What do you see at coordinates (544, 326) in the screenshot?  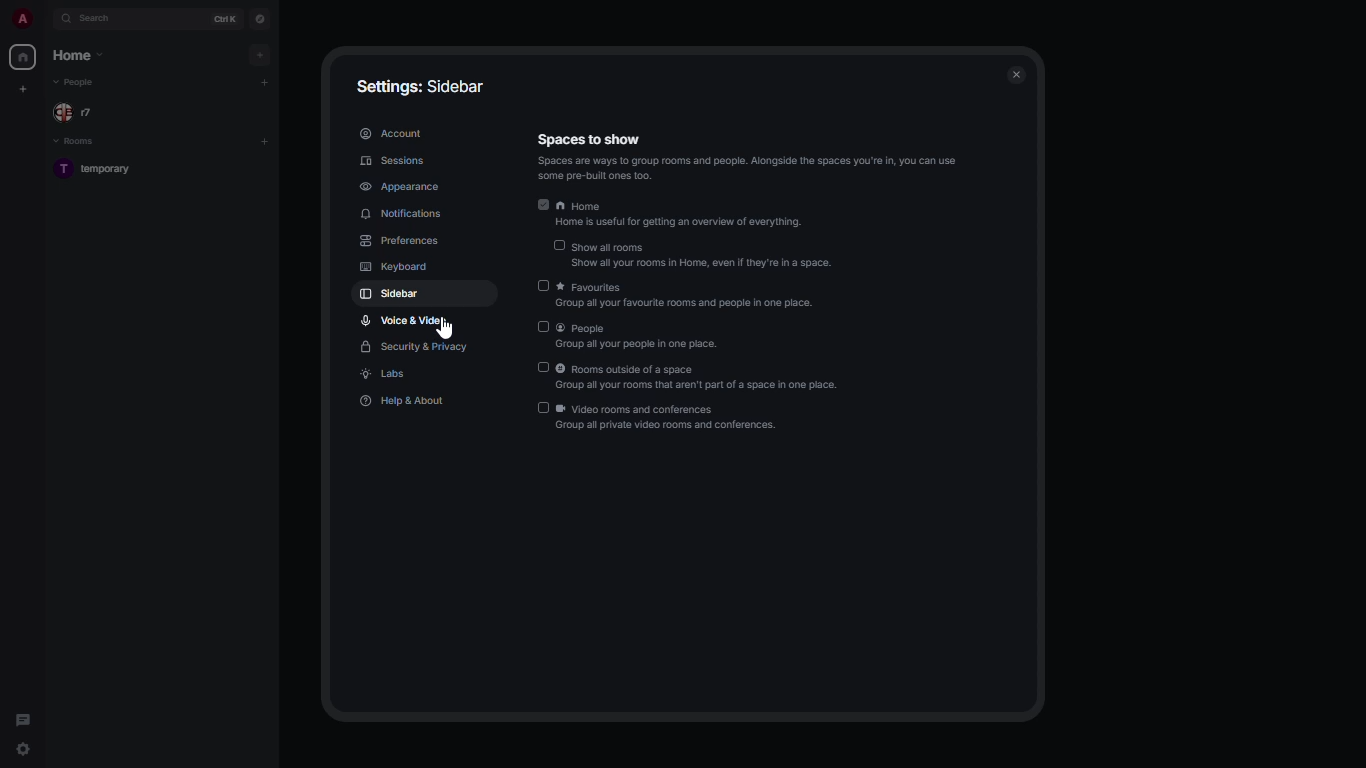 I see `disabled` at bounding box center [544, 326].